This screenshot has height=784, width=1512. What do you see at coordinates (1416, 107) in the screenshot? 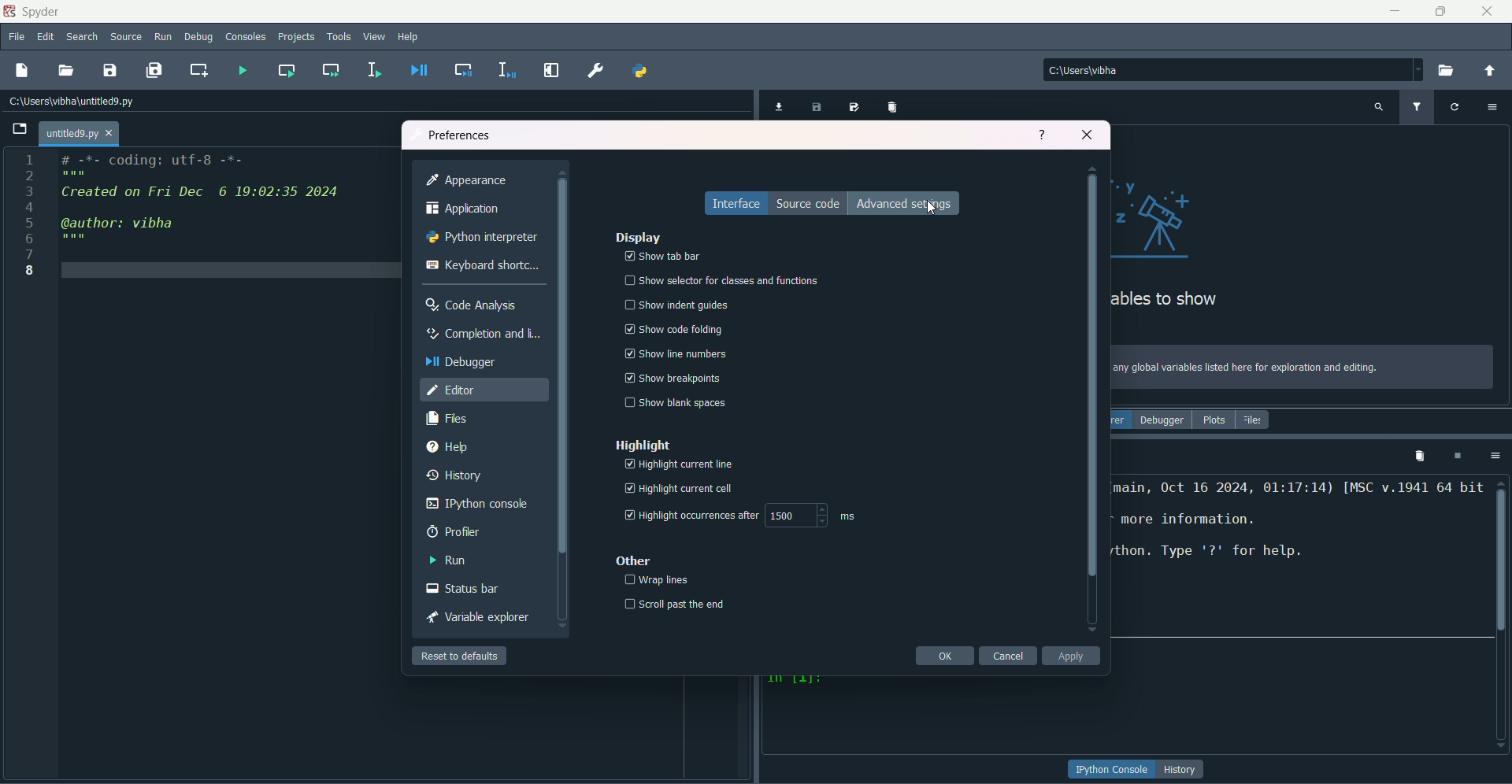
I see `filter variable` at bounding box center [1416, 107].